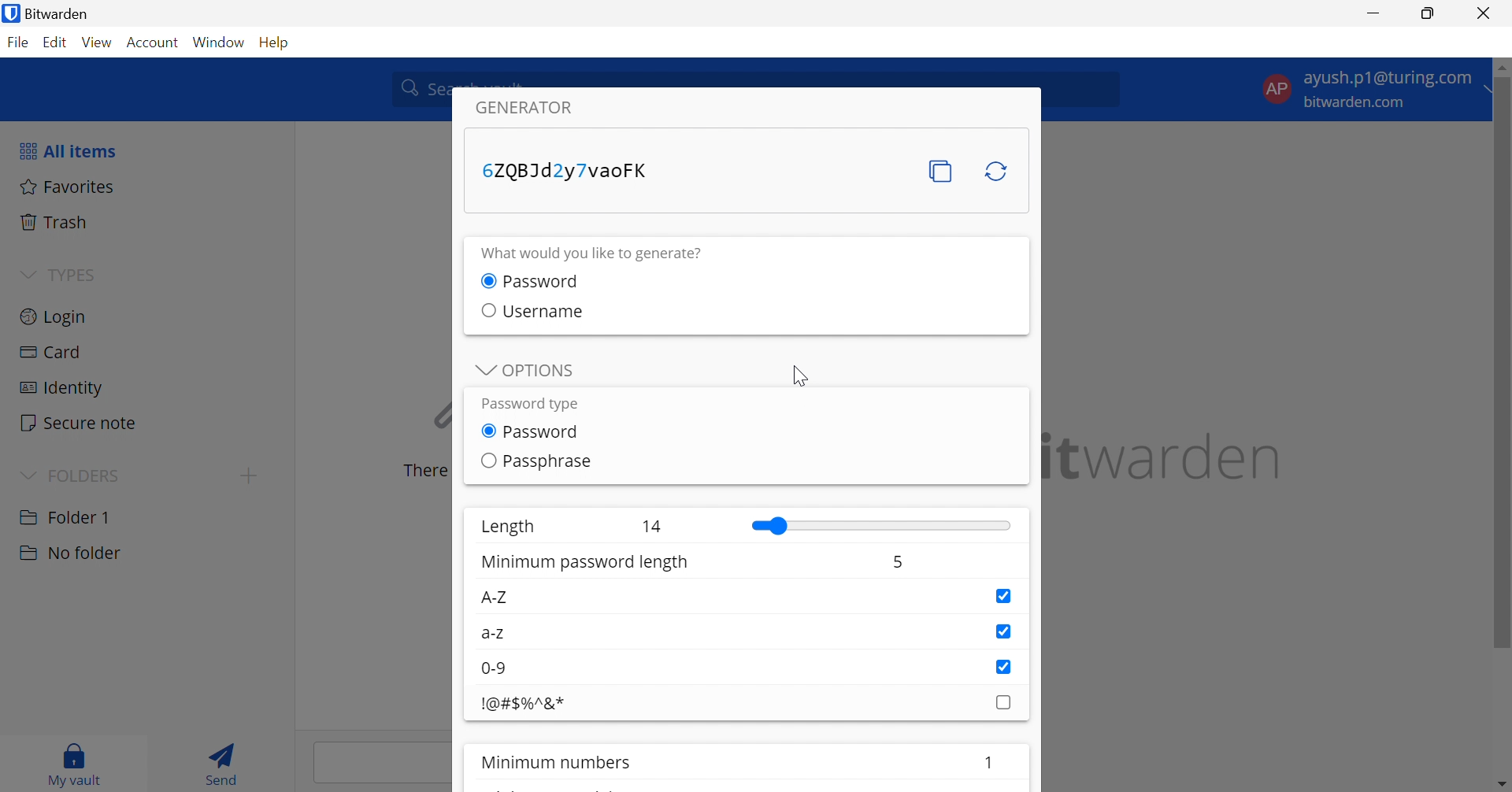 This screenshot has width=1512, height=792. What do you see at coordinates (896, 565) in the screenshot?
I see `5` at bounding box center [896, 565].